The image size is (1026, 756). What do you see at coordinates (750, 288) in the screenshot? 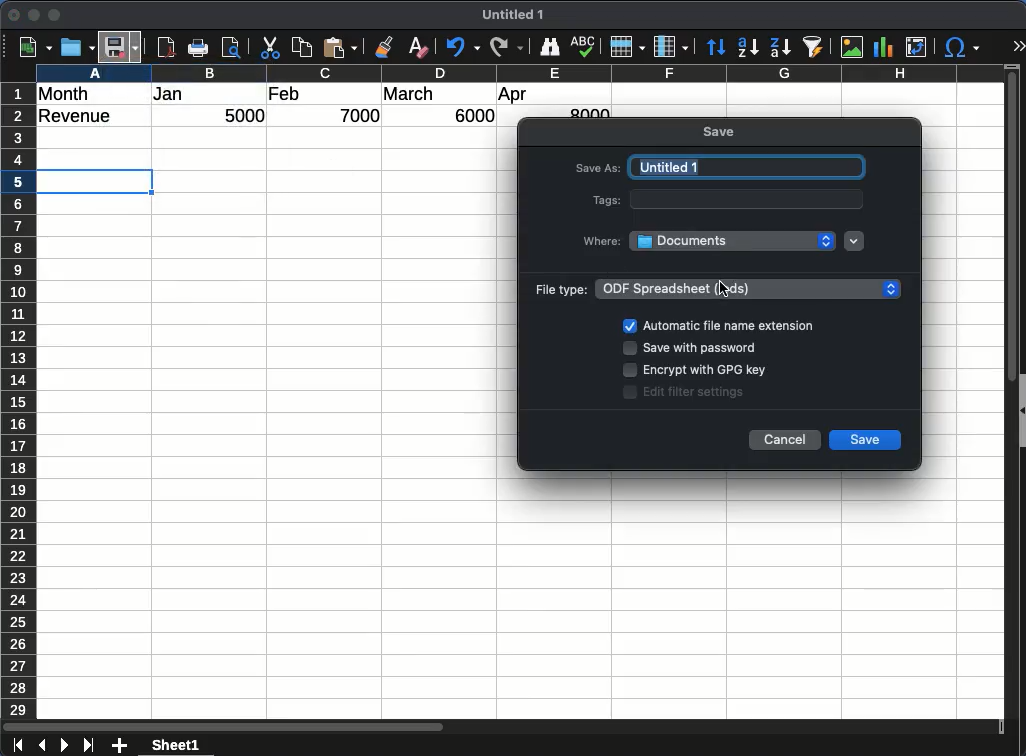
I see `ODF Spreadsheet (.ods)` at bounding box center [750, 288].